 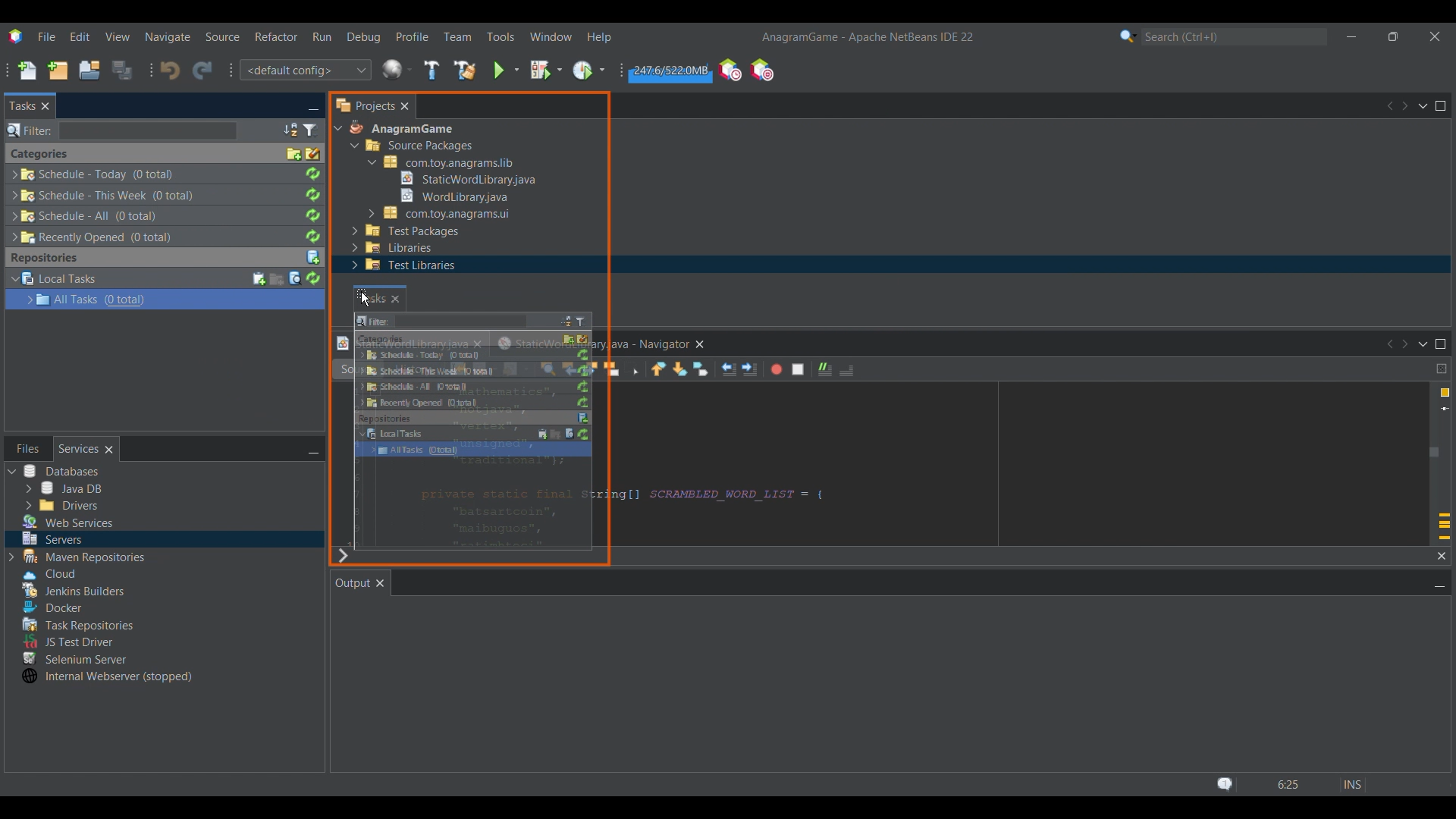 What do you see at coordinates (295, 278) in the screenshot?
I see `Search task in repository` at bounding box center [295, 278].